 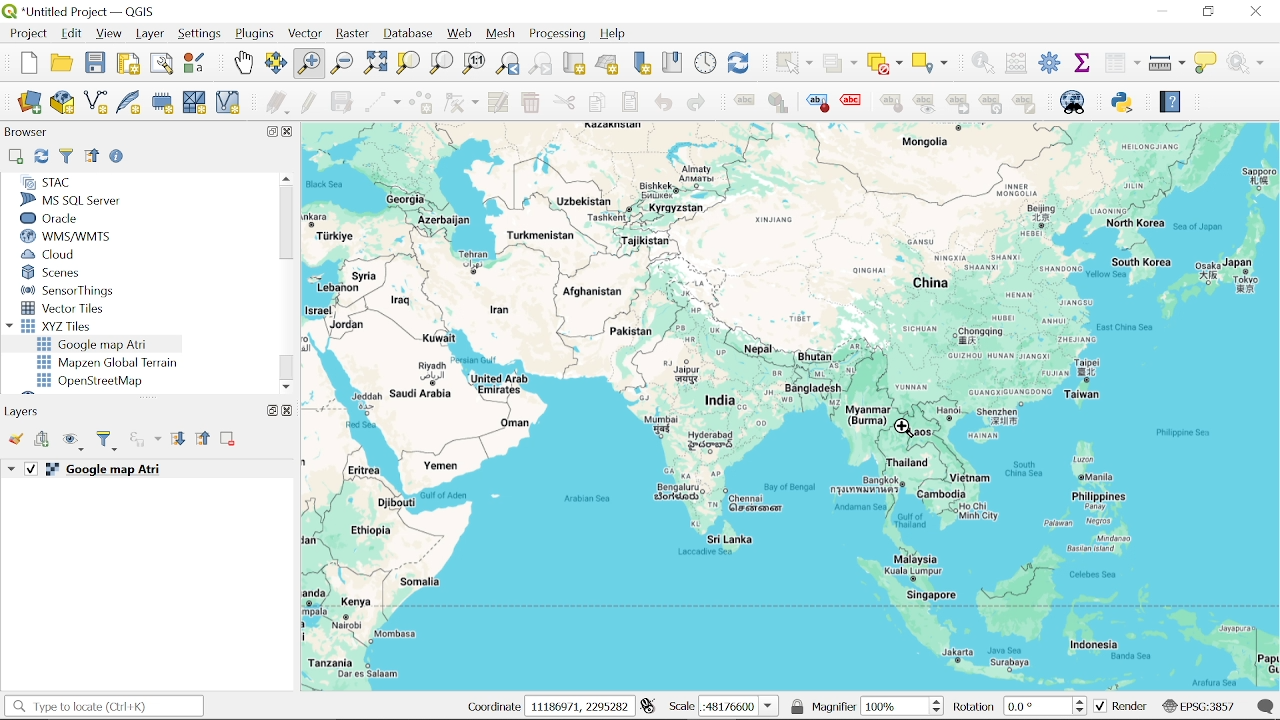 What do you see at coordinates (285, 224) in the screenshot?
I see `Vertical scrollbar` at bounding box center [285, 224].